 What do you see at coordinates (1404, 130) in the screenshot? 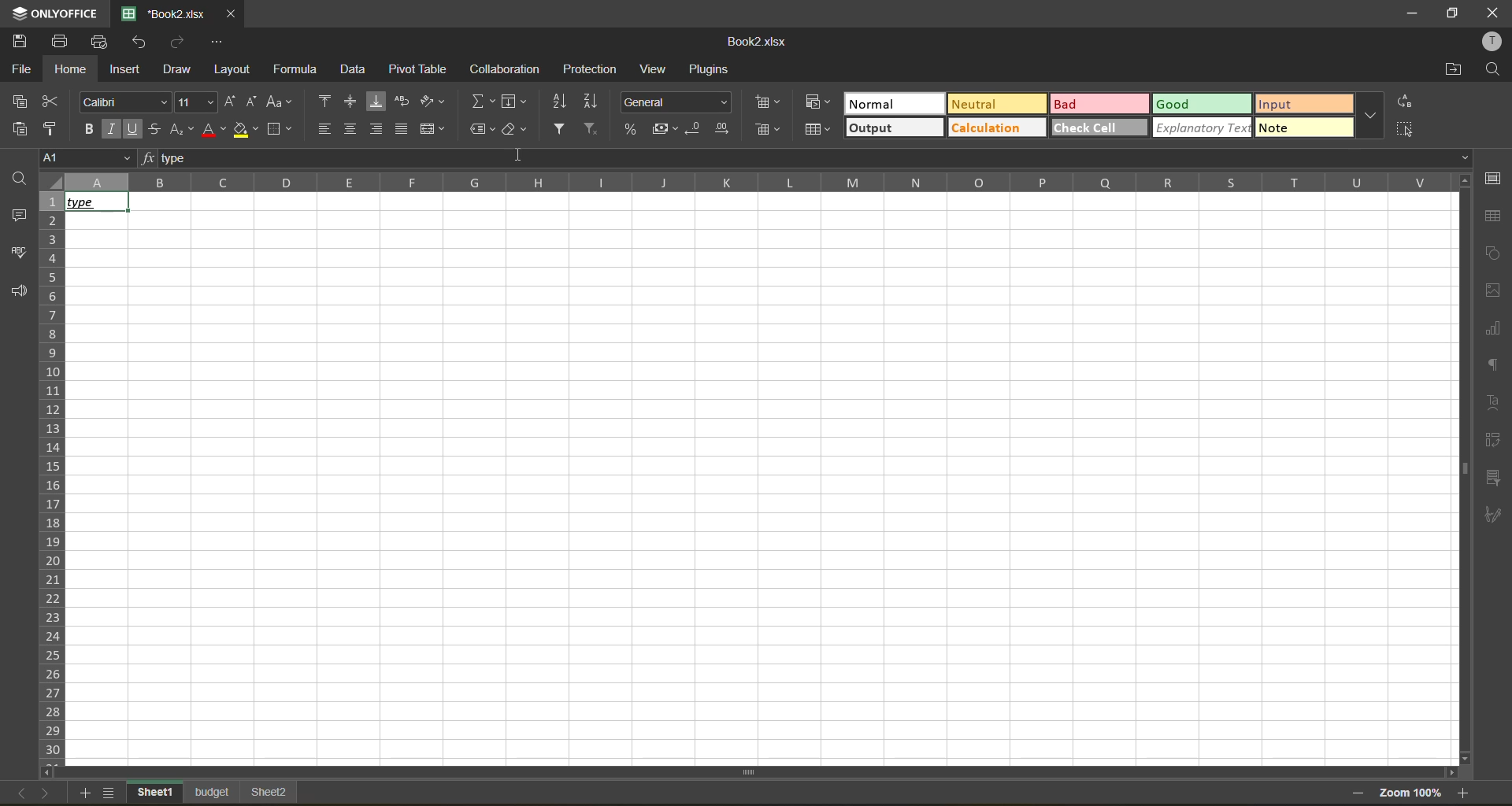
I see `select all` at bounding box center [1404, 130].